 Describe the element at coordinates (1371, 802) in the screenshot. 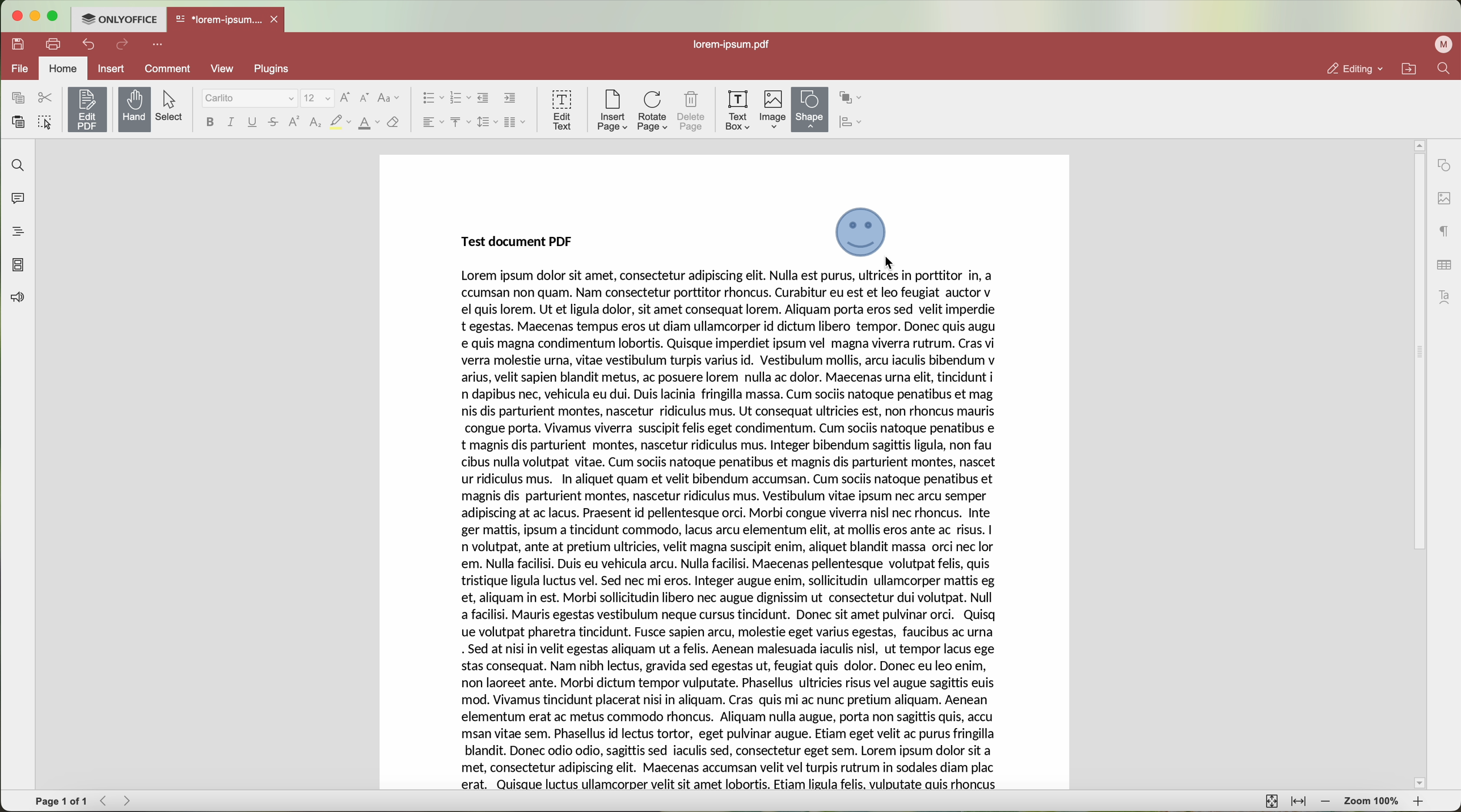

I see `zoom 100%` at that location.